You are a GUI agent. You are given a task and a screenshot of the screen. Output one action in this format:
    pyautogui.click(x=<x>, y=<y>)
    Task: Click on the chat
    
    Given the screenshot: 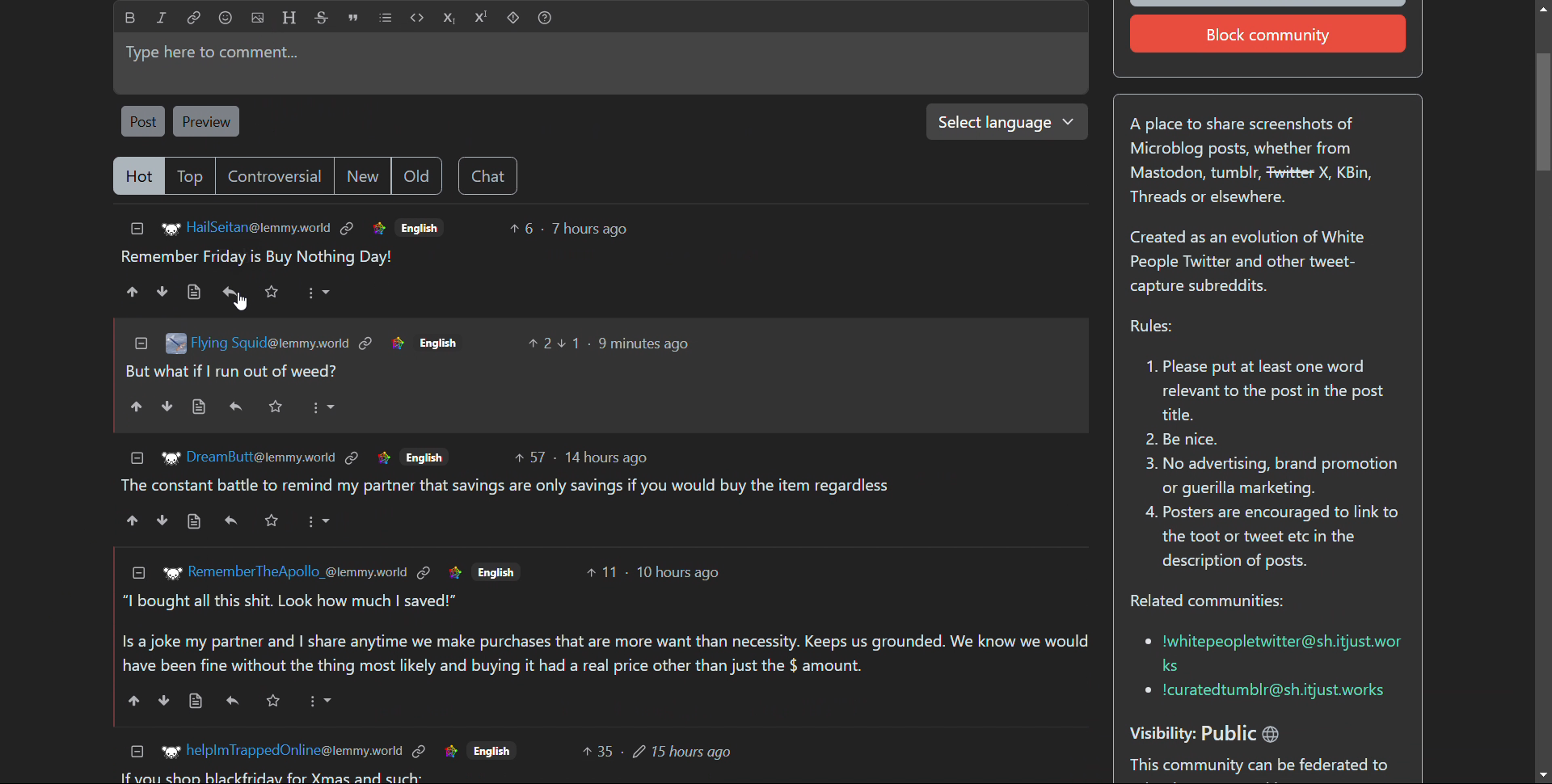 What is the action you would take?
    pyautogui.click(x=487, y=176)
    